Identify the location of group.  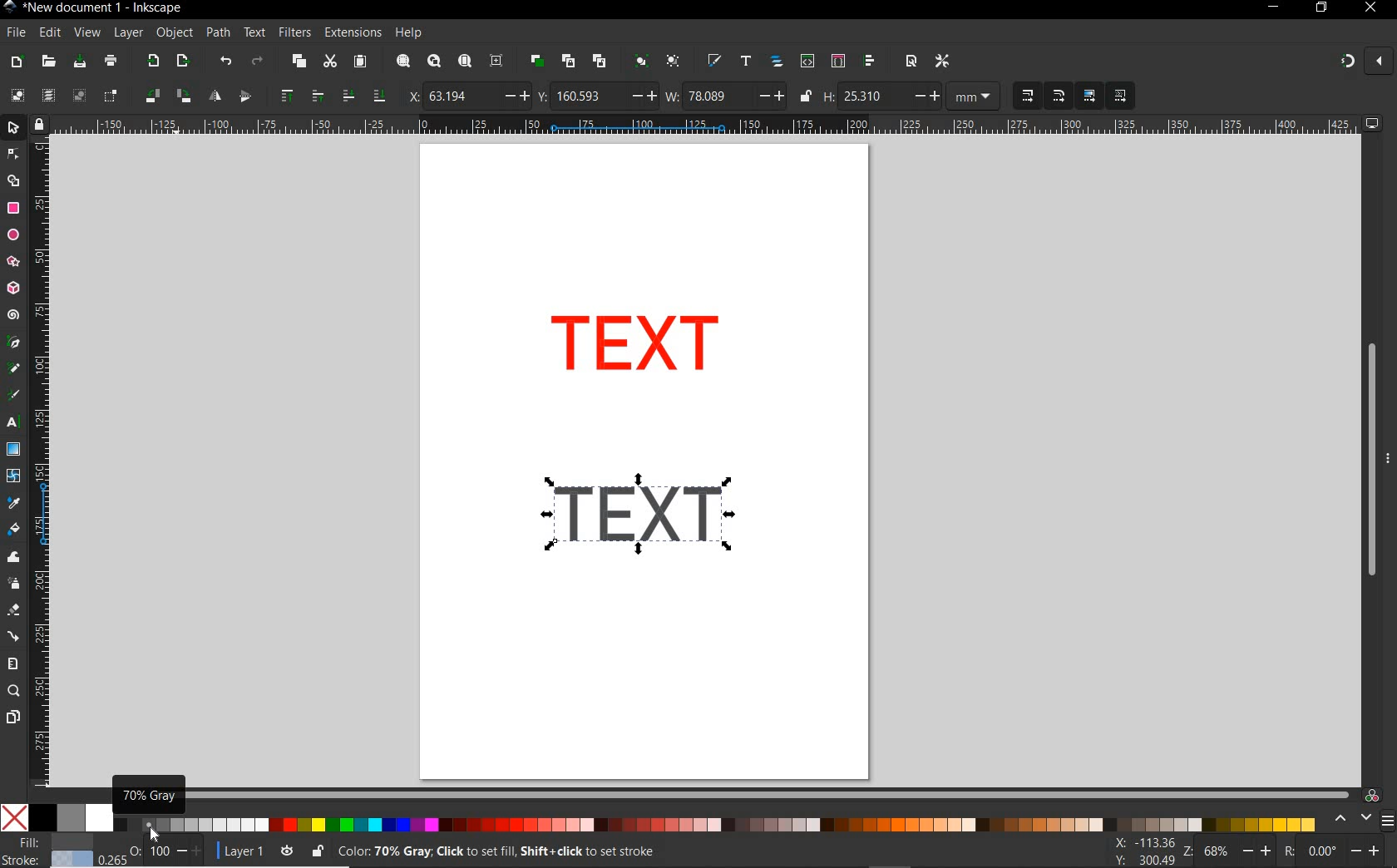
(639, 62).